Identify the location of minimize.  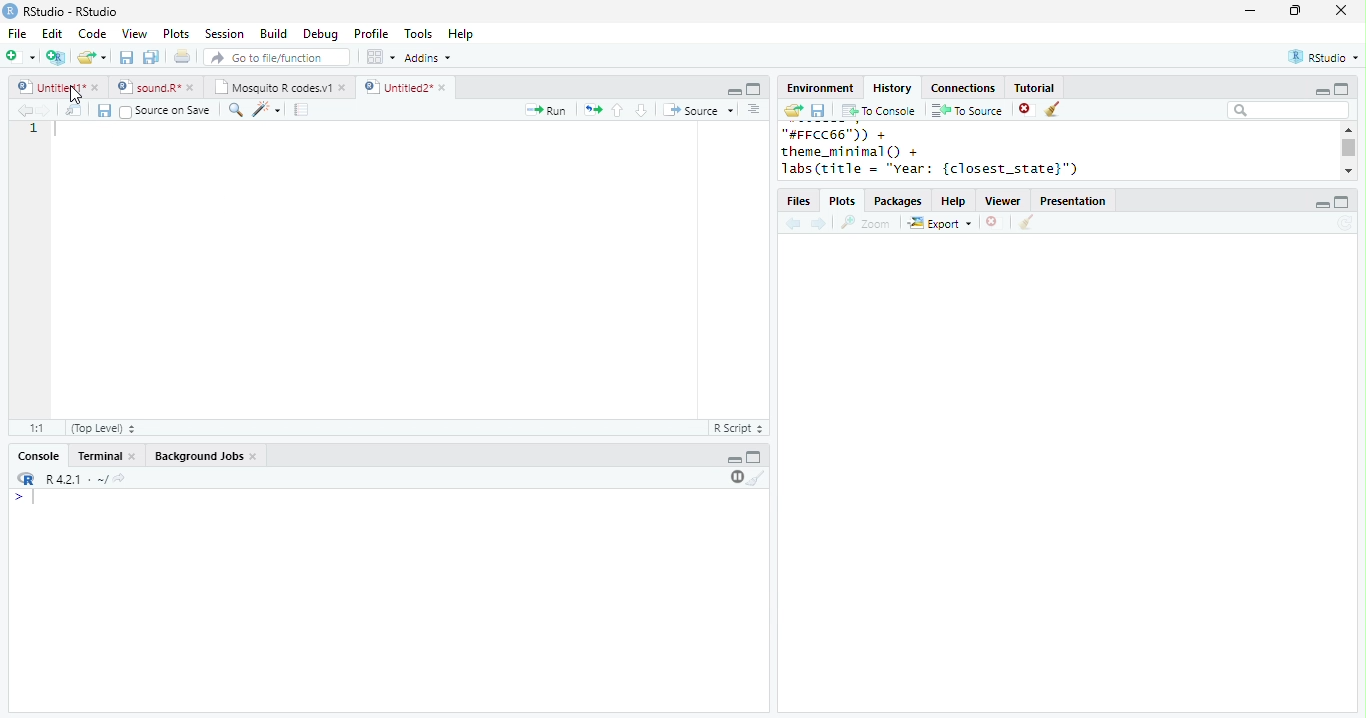
(734, 460).